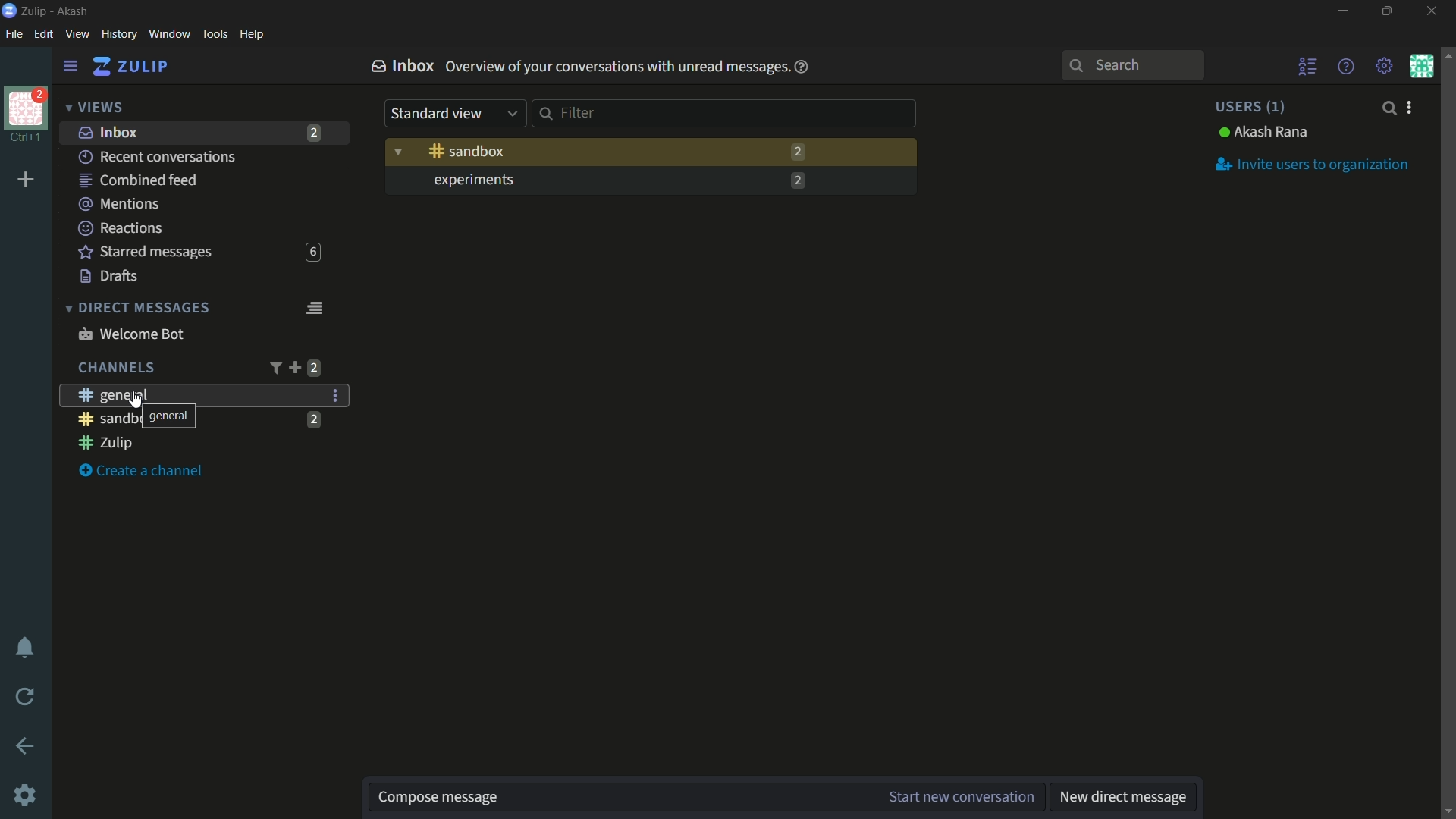 The width and height of the screenshot is (1456, 819). I want to click on profile, so click(26, 107).